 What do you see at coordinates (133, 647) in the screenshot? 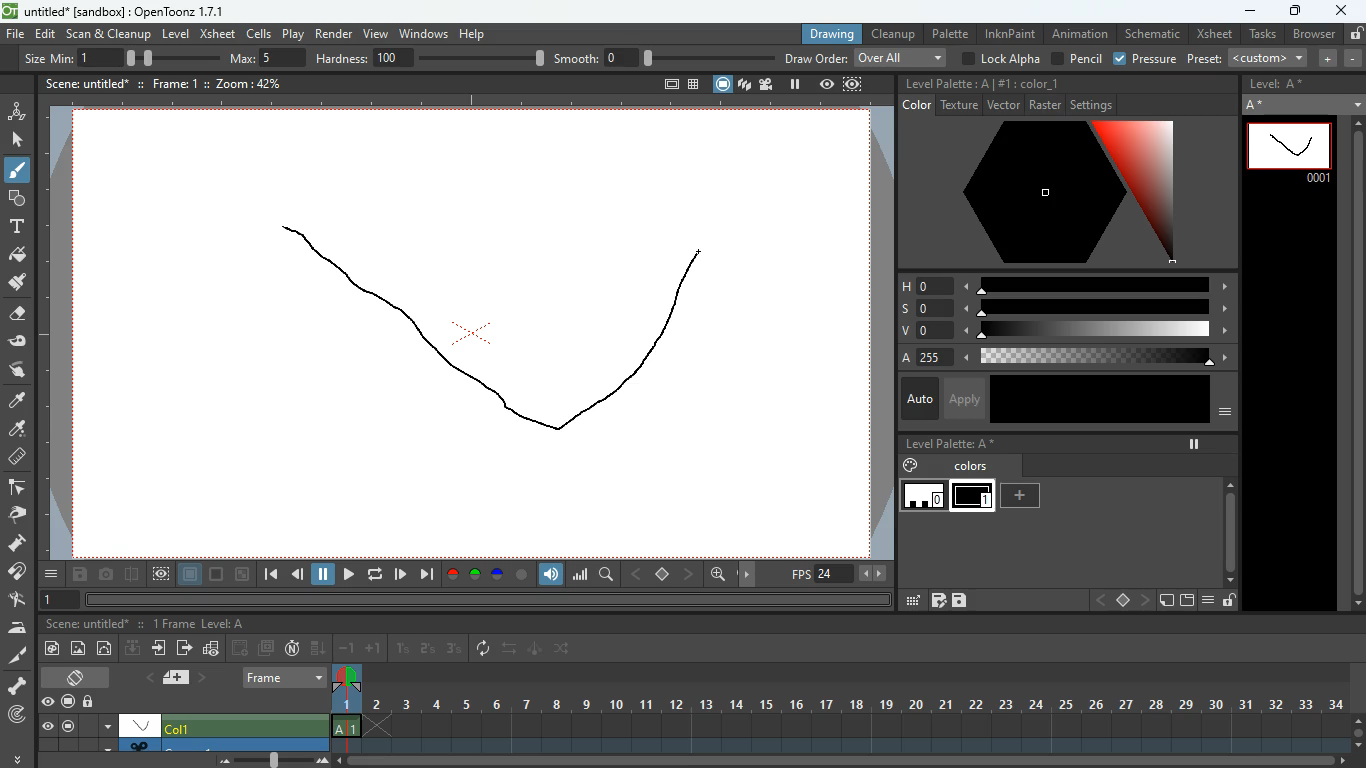
I see `down` at bounding box center [133, 647].